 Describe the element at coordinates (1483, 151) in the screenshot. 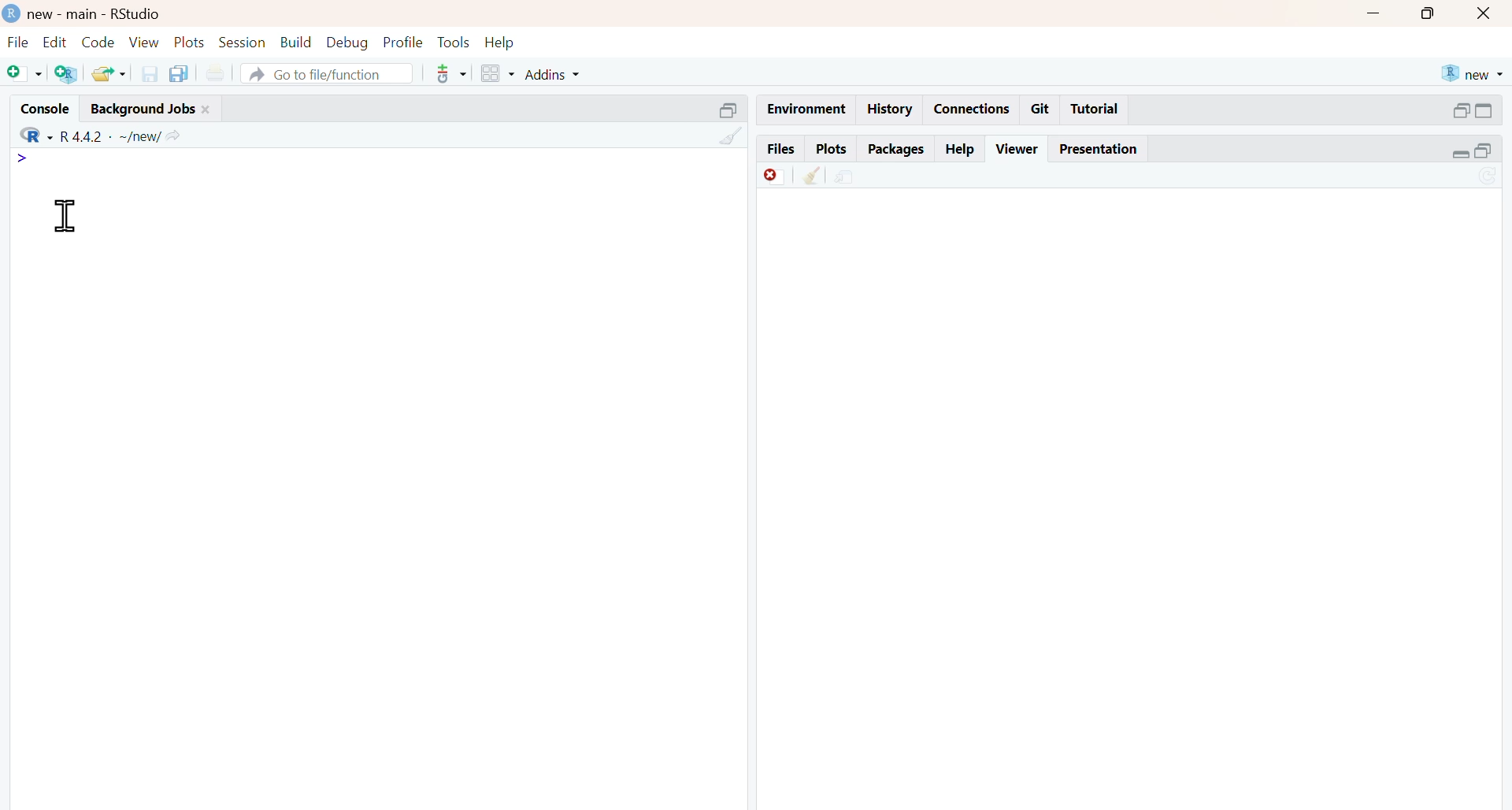

I see `open in separate window` at that location.